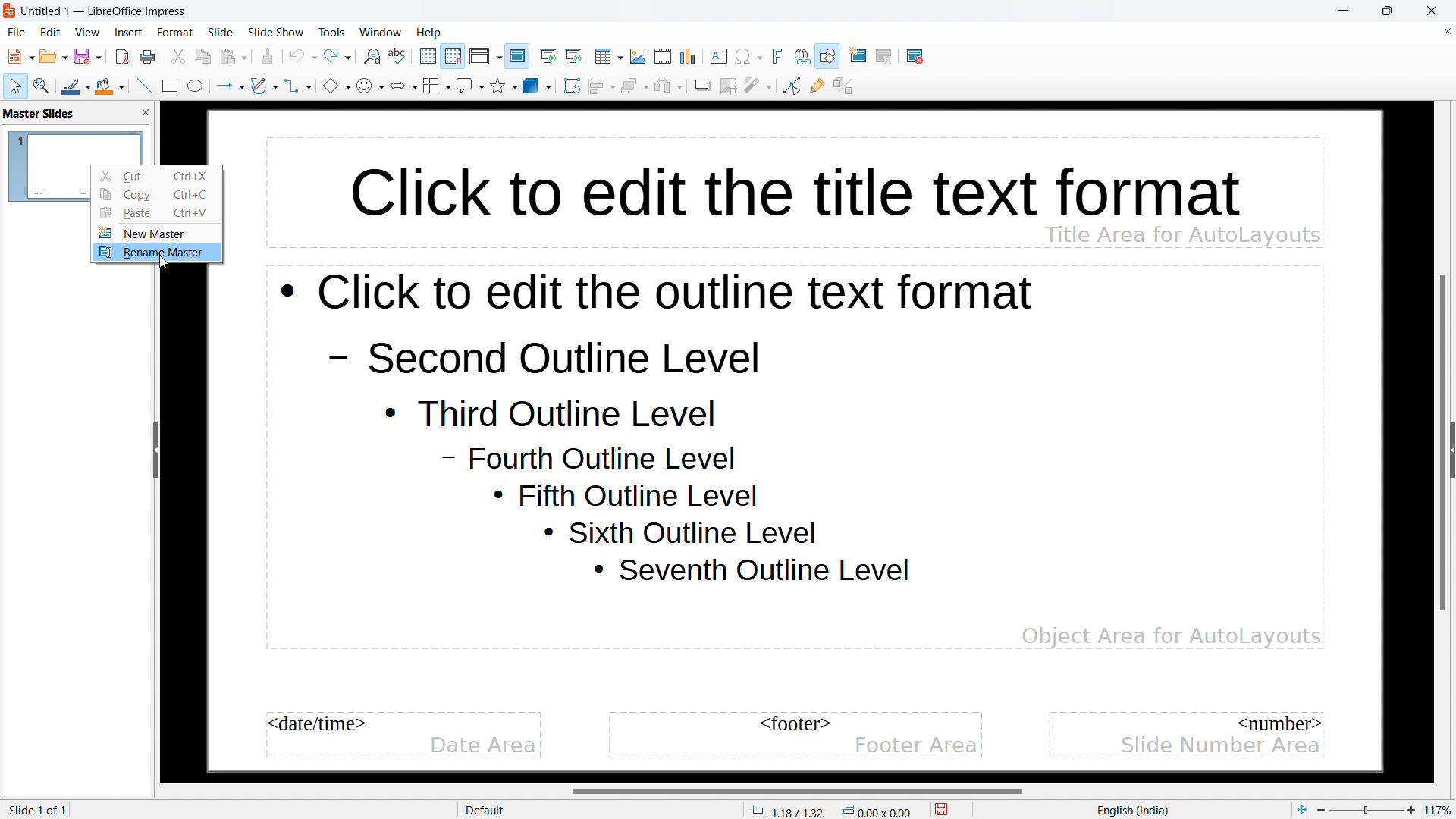 The width and height of the screenshot is (1456, 819). Describe the element at coordinates (10, 11) in the screenshot. I see `logo` at that location.